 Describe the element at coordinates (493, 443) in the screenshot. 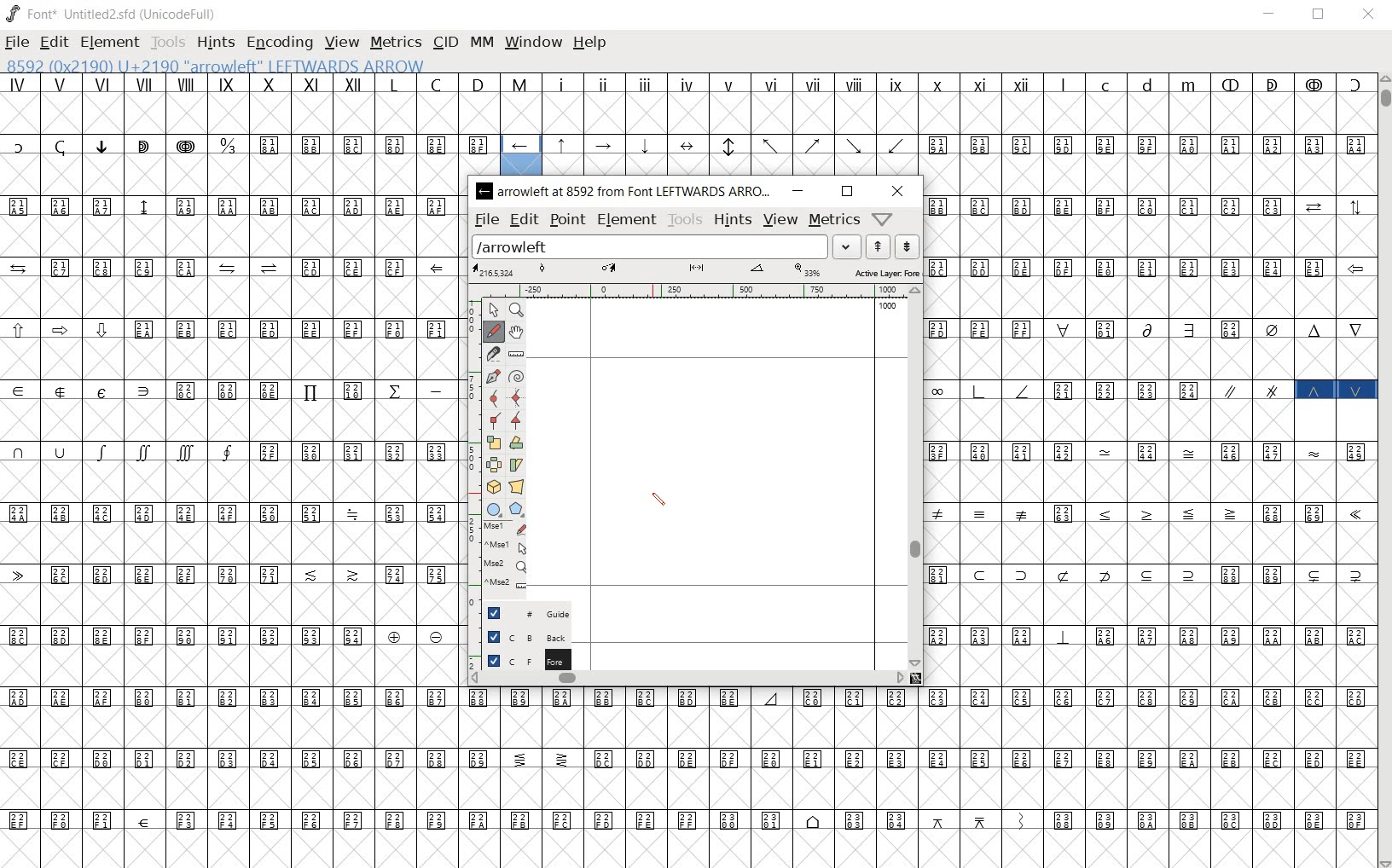

I see `scale the selection` at that location.